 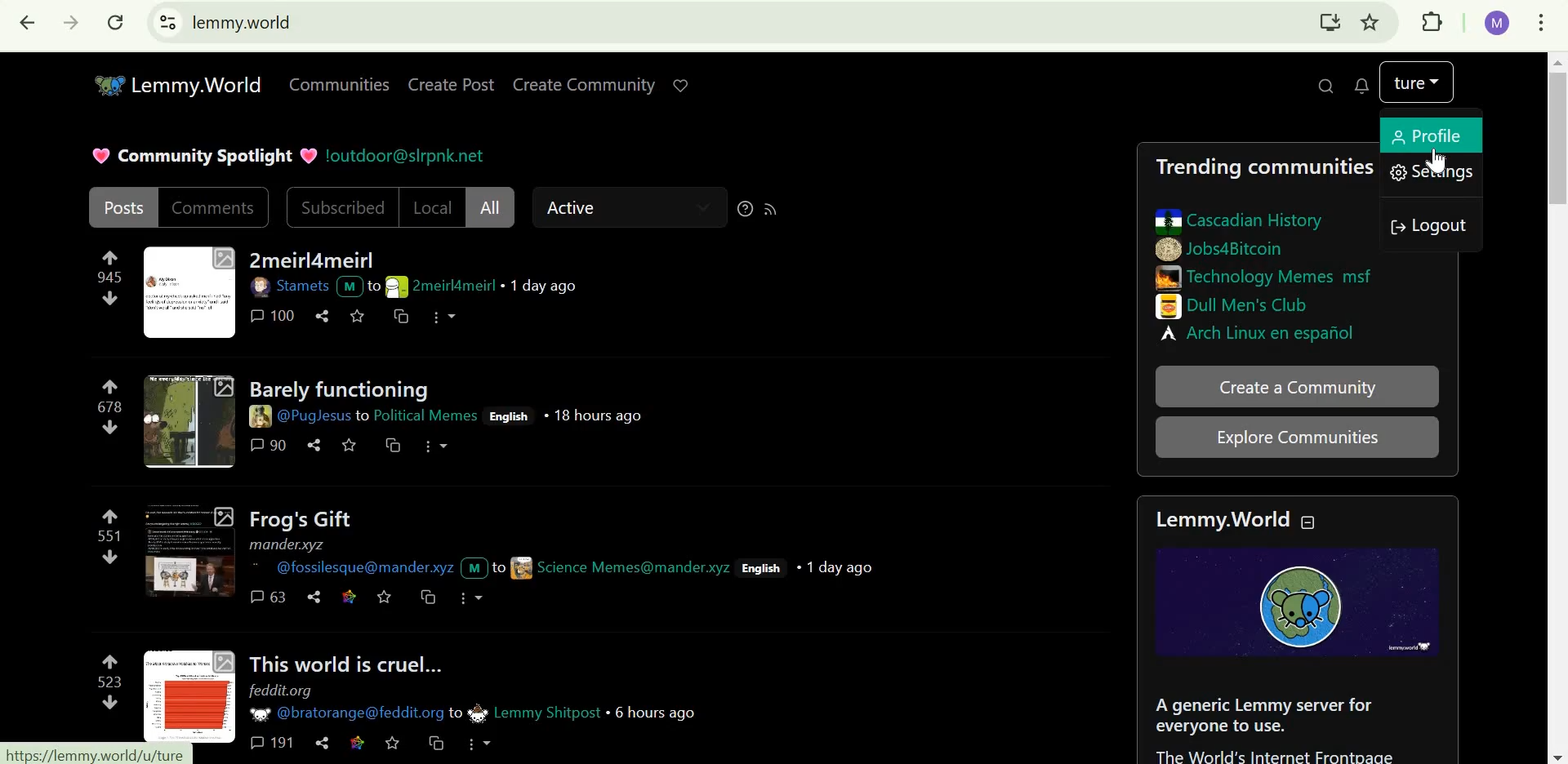 What do you see at coordinates (269, 445) in the screenshot?
I see `90 comments` at bounding box center [269, 445].